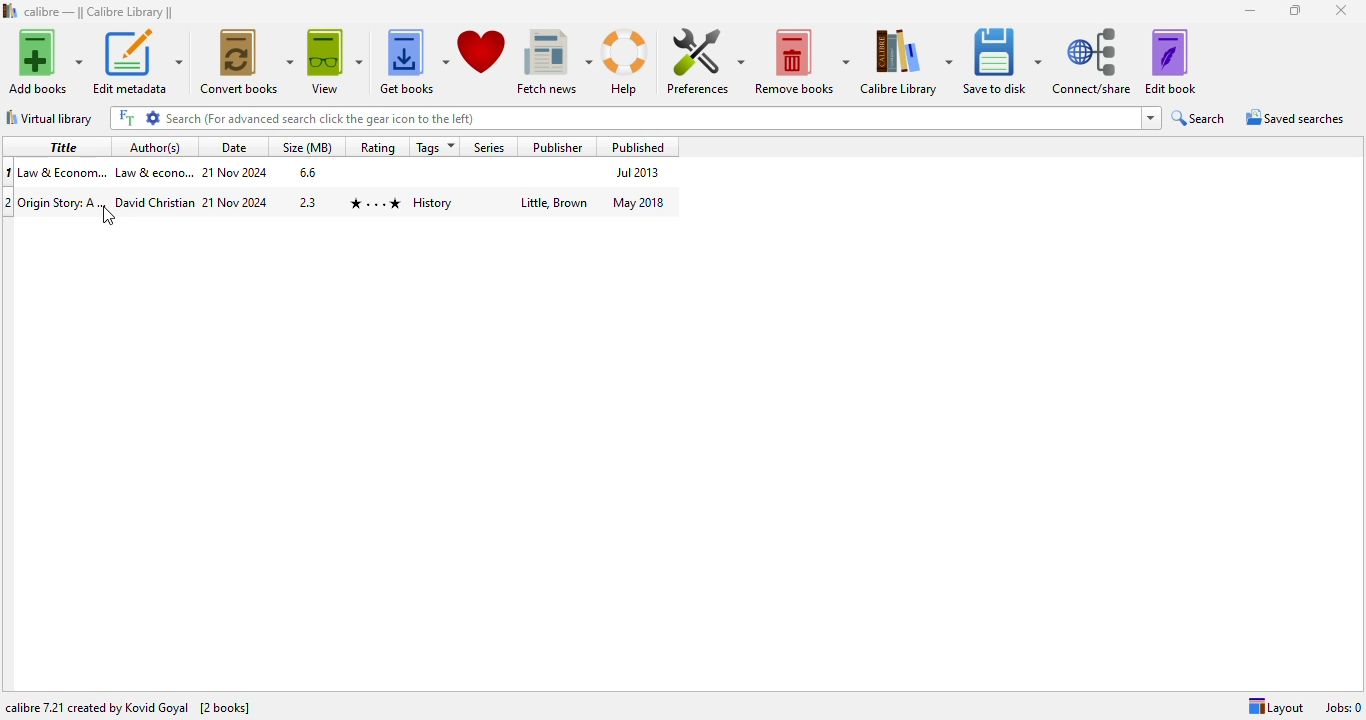 The width and height of the screenshot is (1366, 720). I want to click on search, so click(1199, 119).